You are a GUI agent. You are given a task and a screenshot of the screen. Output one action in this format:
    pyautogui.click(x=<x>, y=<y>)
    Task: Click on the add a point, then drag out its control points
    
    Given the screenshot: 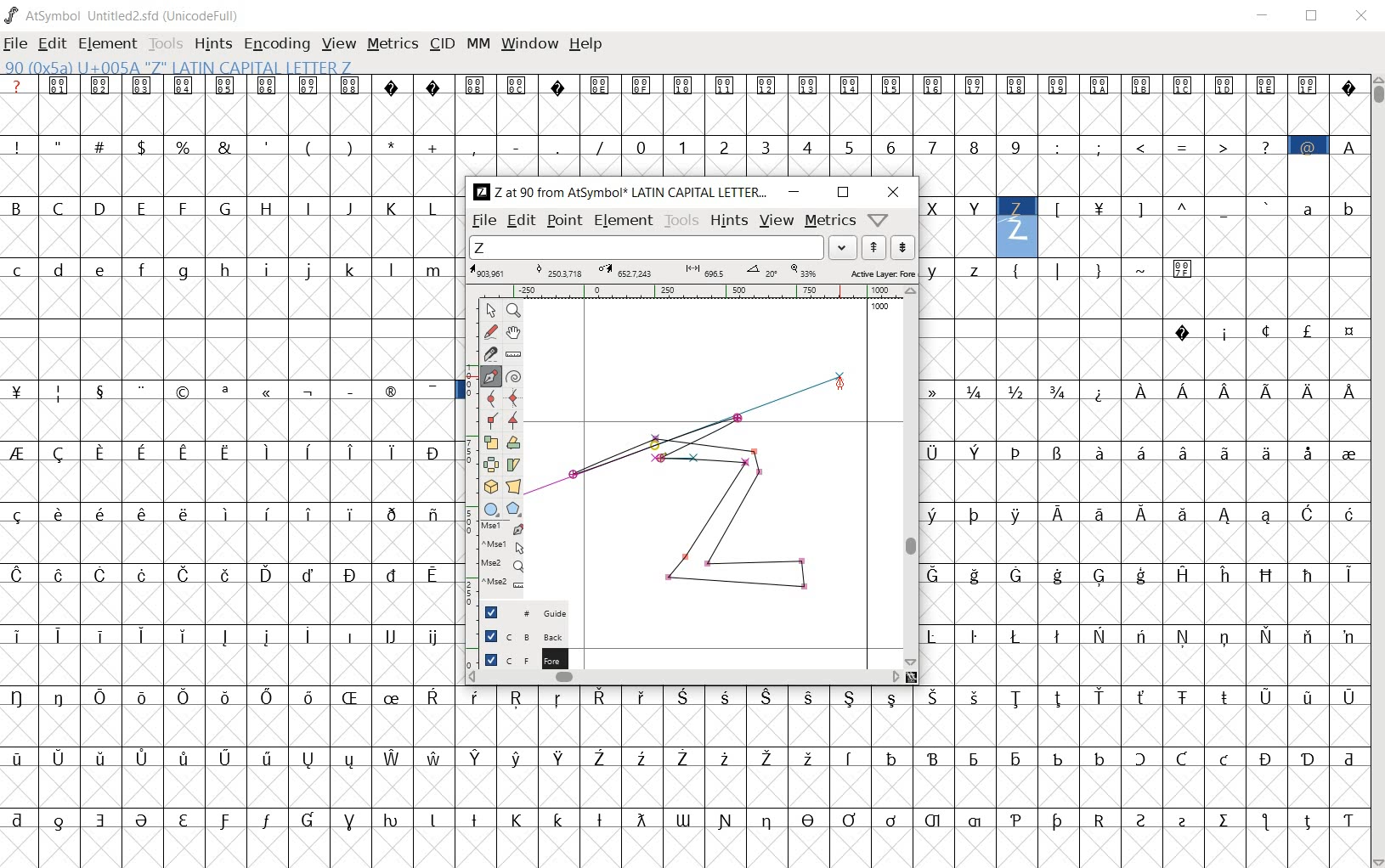 What is the action you would take?
    pyautogui.click(x=489, y=376)
    